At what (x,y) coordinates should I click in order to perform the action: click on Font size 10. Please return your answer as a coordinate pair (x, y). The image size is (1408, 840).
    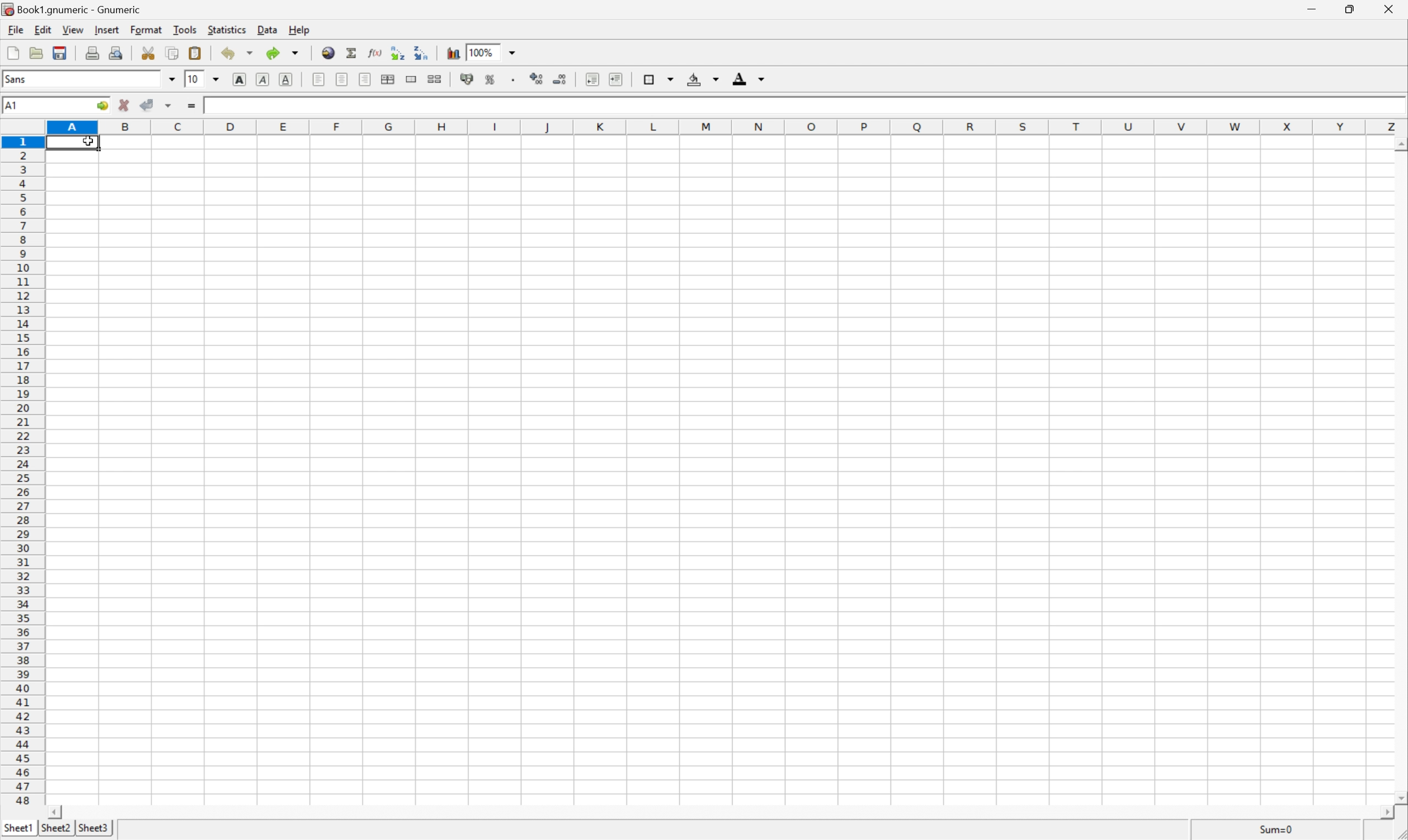
    Looking at the image, I should click on (203, 80).